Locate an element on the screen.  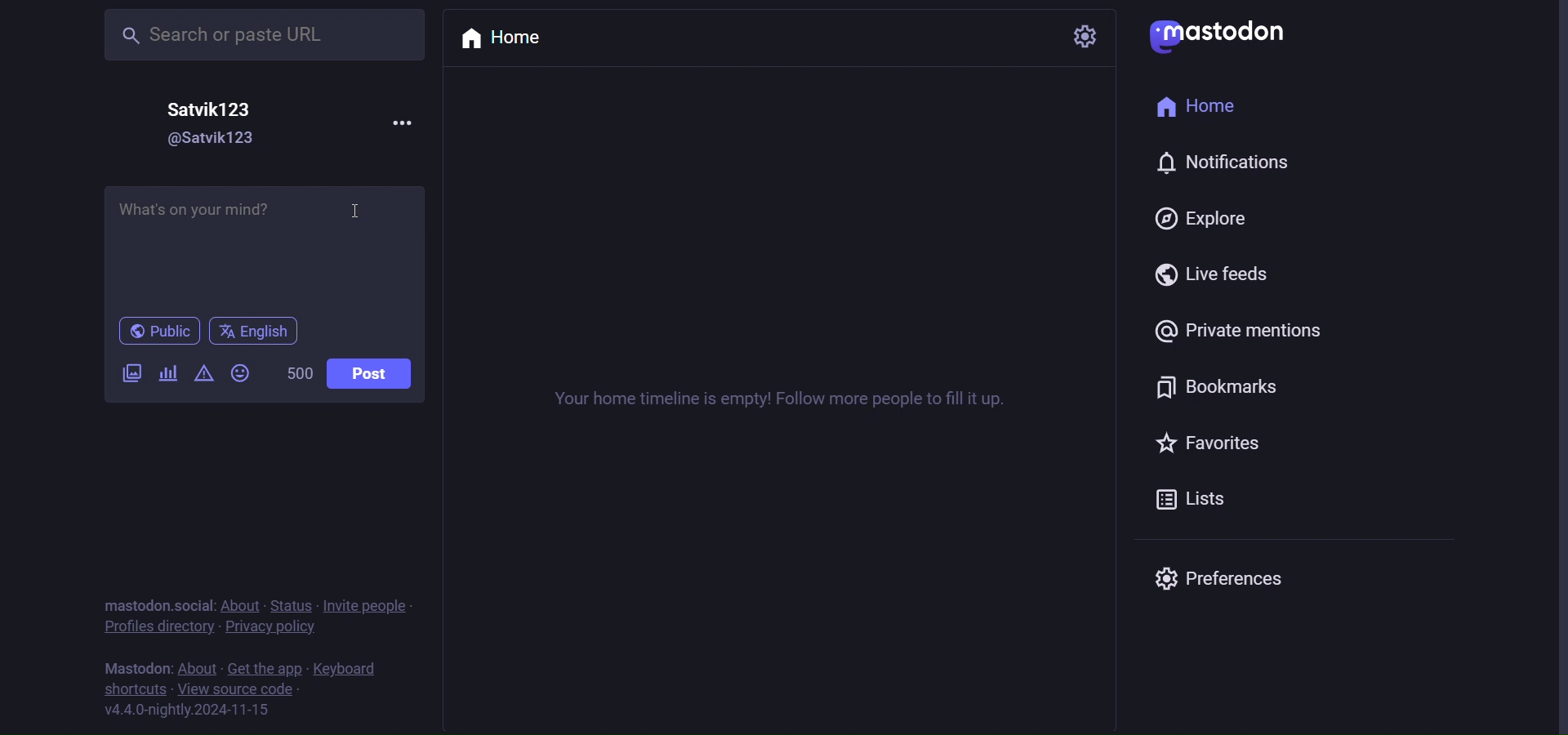
english is located at coordinates (252, 332).